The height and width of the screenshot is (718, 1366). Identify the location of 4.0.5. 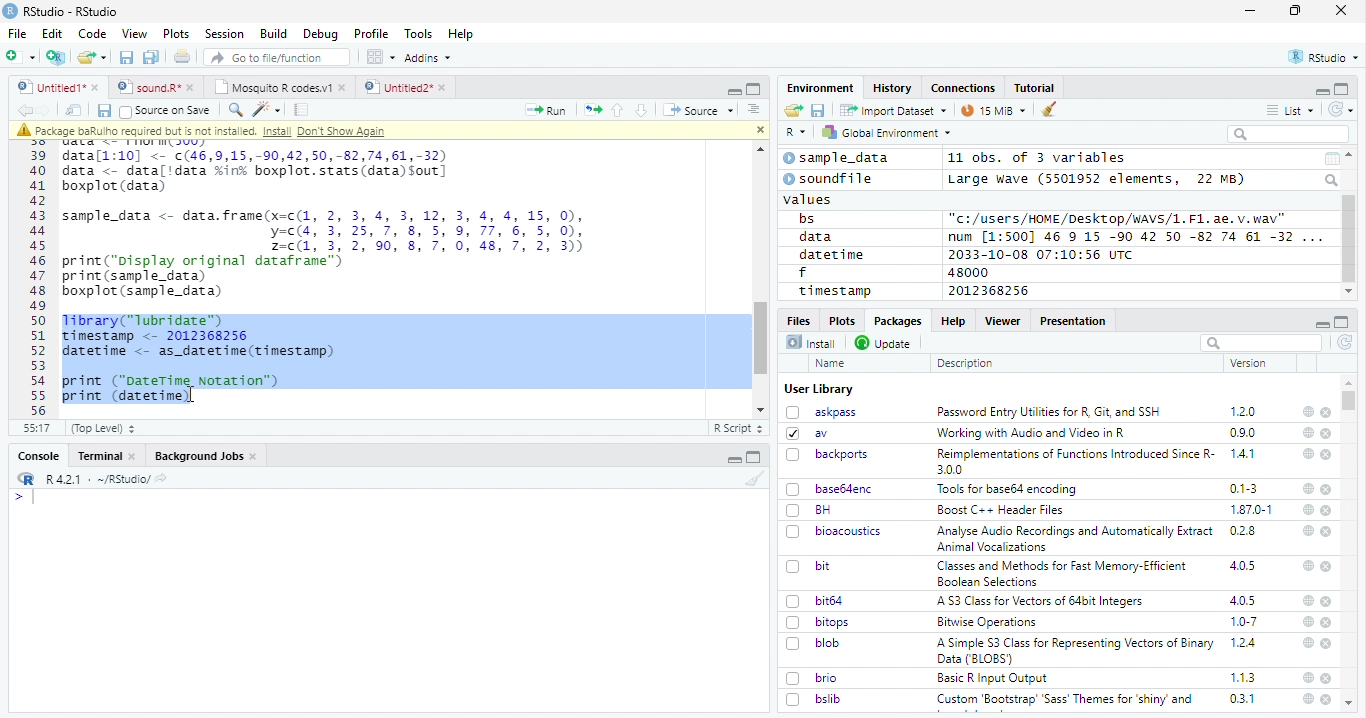
(1242, 566).